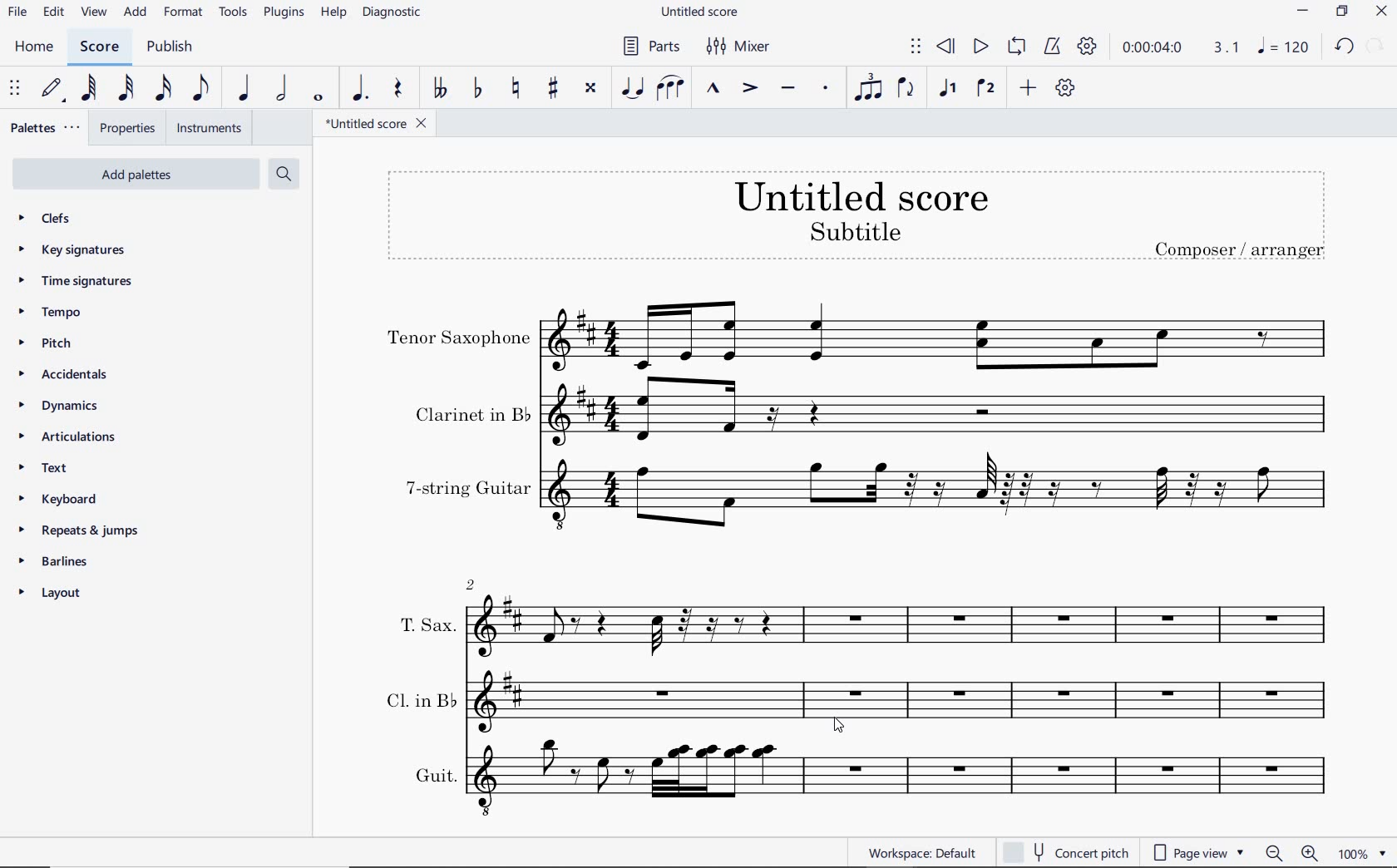 The image size is (1397, 868). Describe the element at coordinates (1064, 87) in the screenshot. I see `CUSTOMIZE TOOLBAR` at that location.